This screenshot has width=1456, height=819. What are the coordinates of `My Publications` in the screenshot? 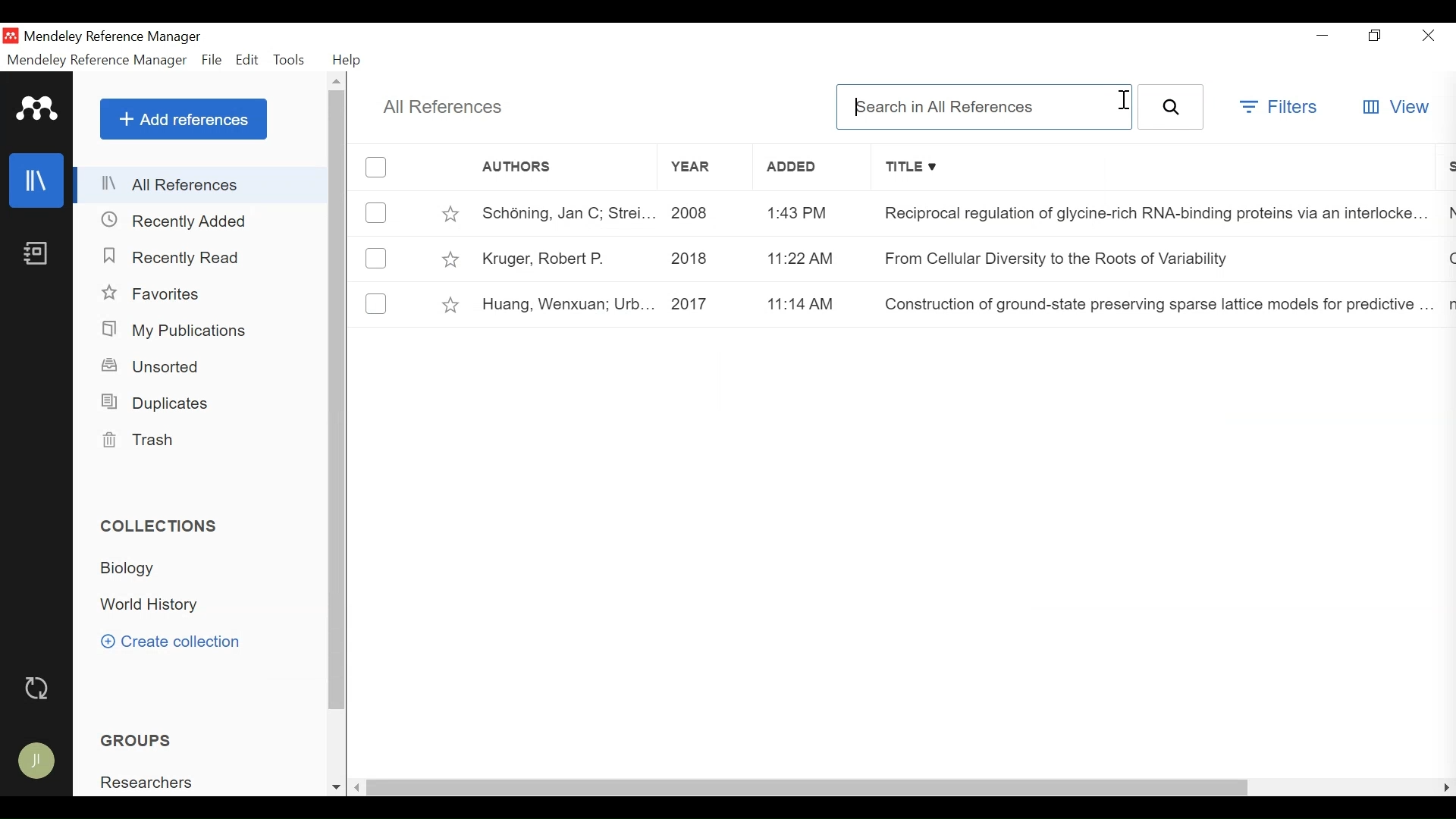 It's located at (177, 331).